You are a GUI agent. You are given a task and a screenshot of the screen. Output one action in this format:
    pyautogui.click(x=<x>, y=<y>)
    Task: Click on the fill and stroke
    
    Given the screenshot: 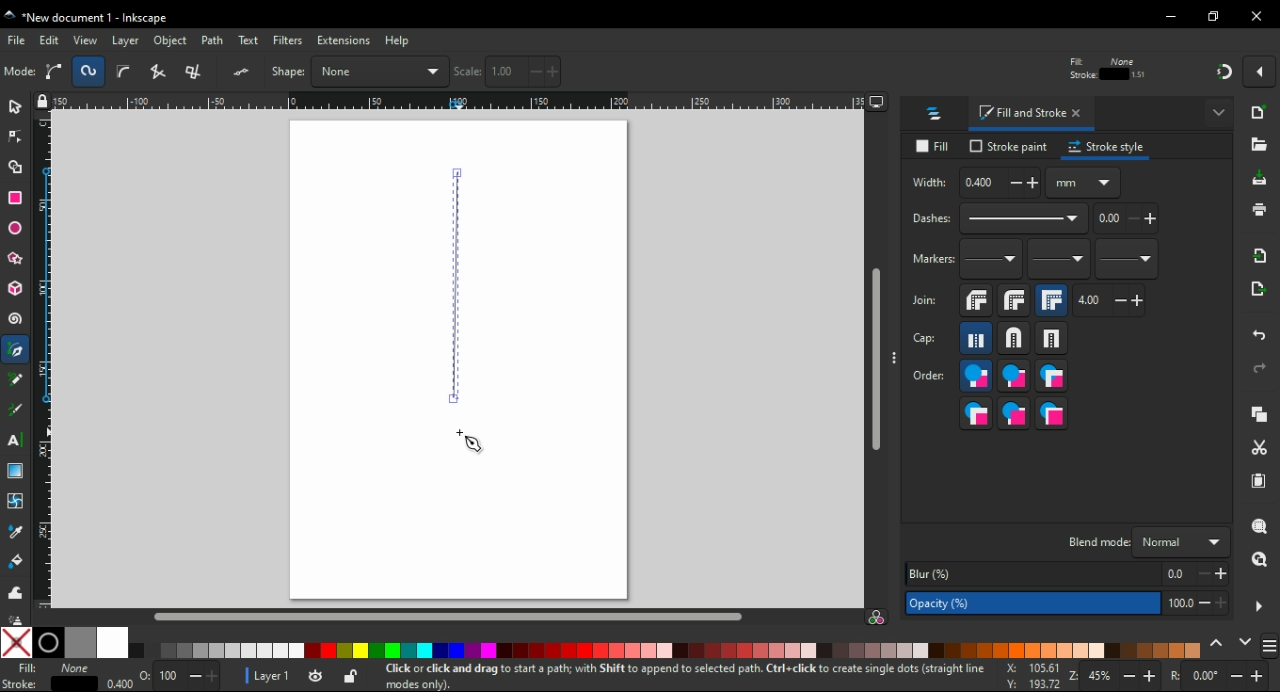 What is the action you would take?
    pyautogui.click(x=1032, y=114)
    